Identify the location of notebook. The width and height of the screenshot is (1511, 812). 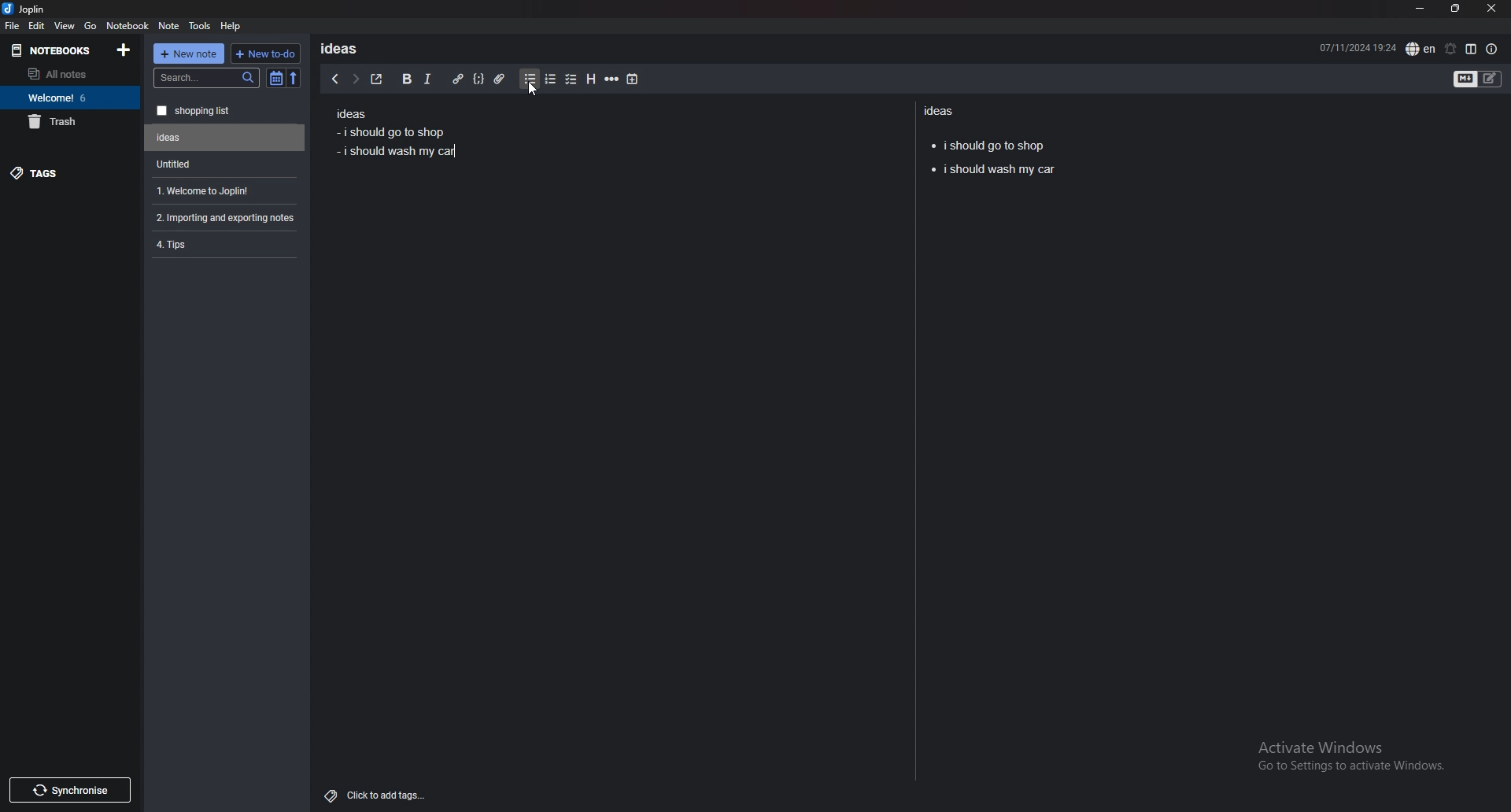
(127, 24).